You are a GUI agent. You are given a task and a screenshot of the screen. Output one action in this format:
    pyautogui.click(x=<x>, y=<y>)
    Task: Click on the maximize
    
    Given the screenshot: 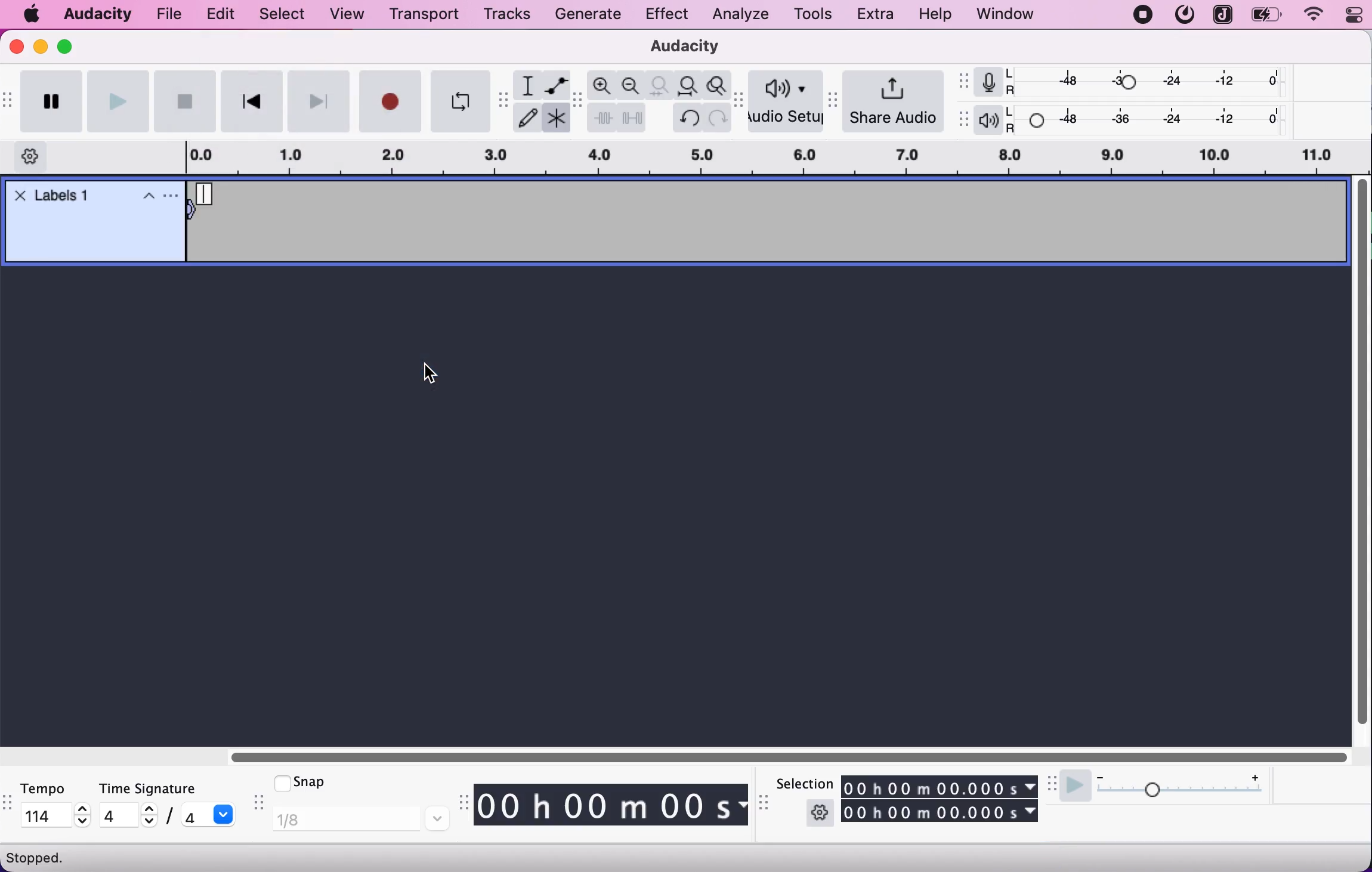 What is the action you would take?
    pyautogui.click(x=72, y=45)
    